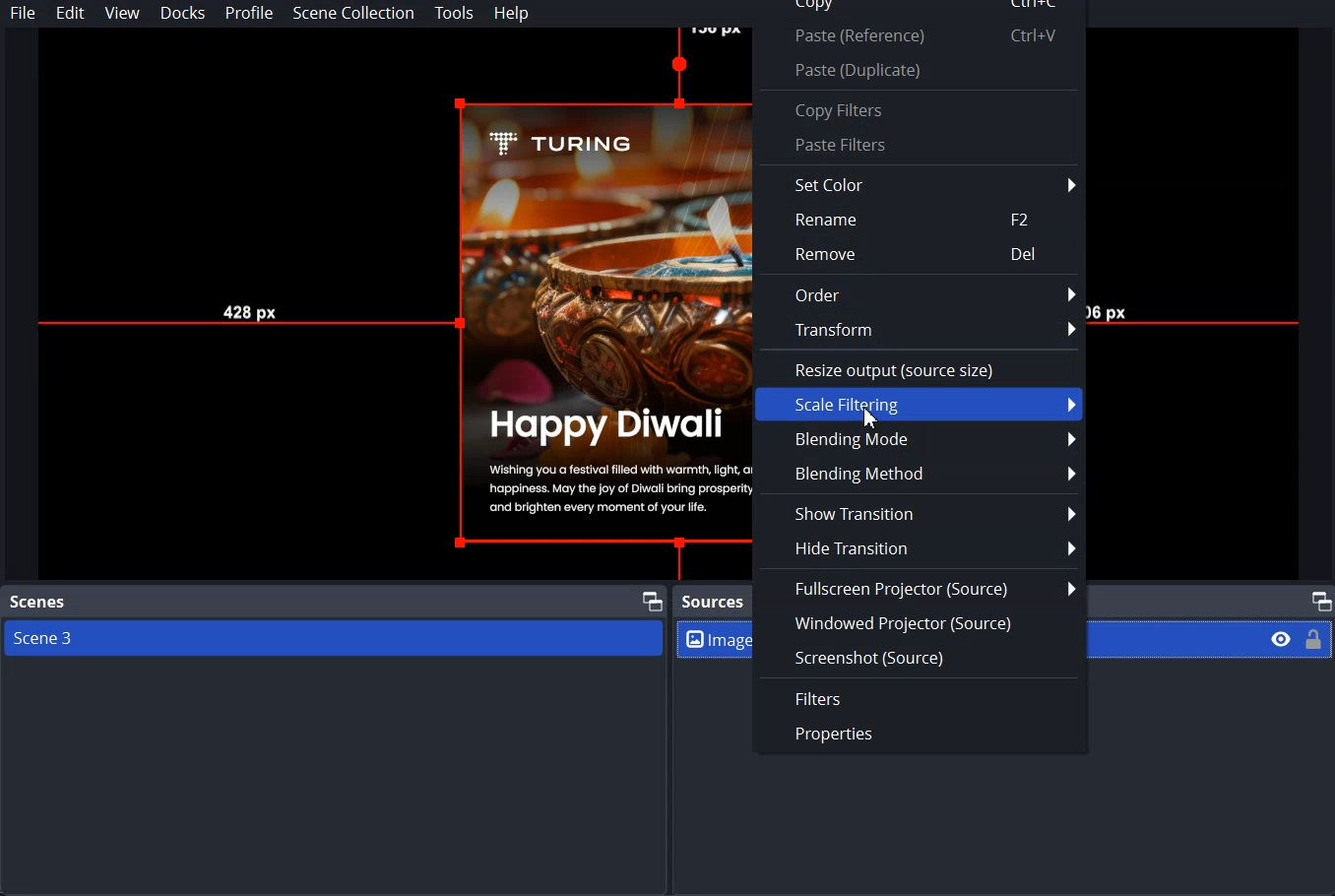 This screenshot has height=896, width=1335. Describe the element at coordinates (920, 547) in the screenshot. I see `Hide transition` at that location.